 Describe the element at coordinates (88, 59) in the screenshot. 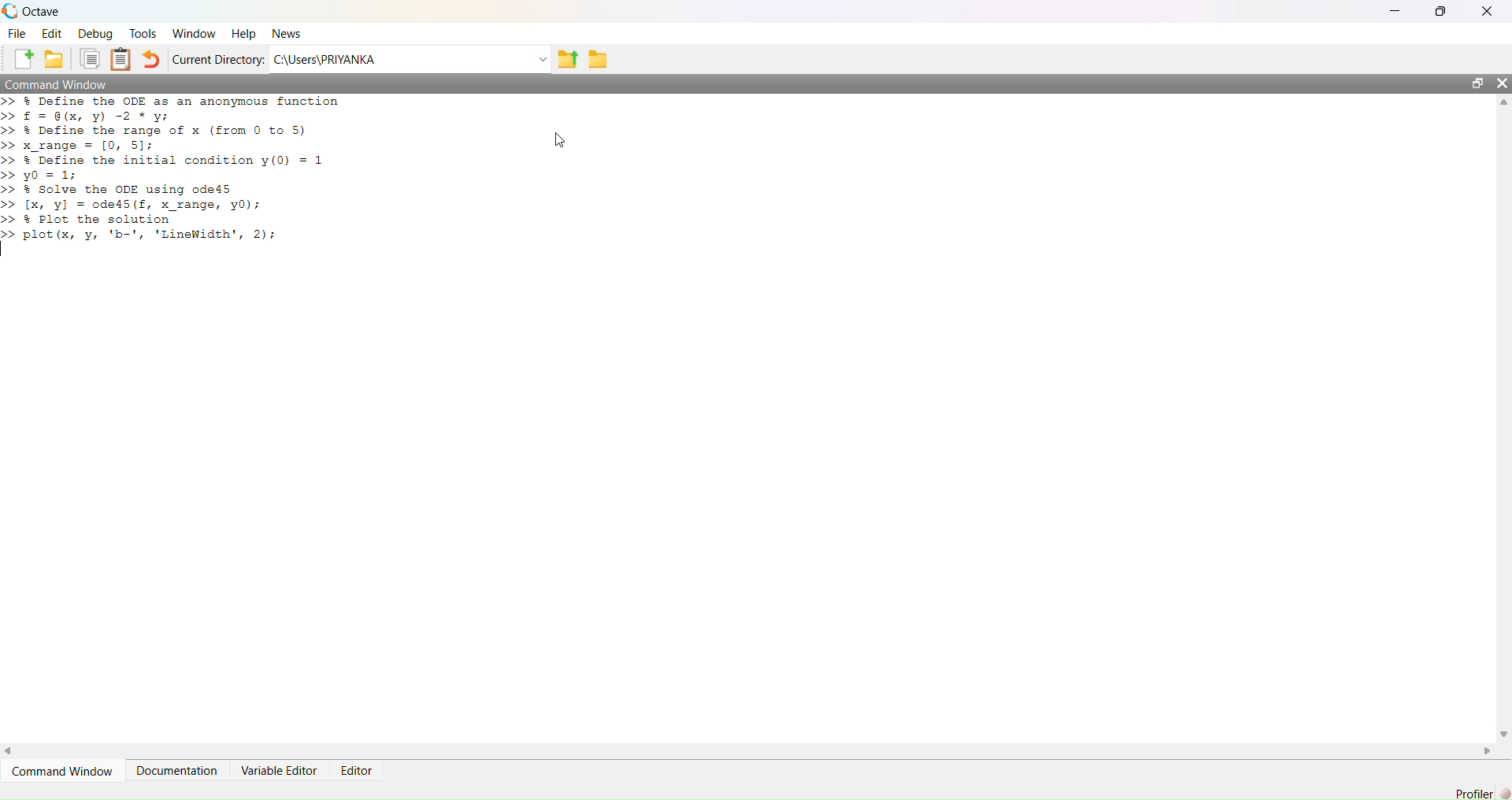

I see `Copy` at that location.